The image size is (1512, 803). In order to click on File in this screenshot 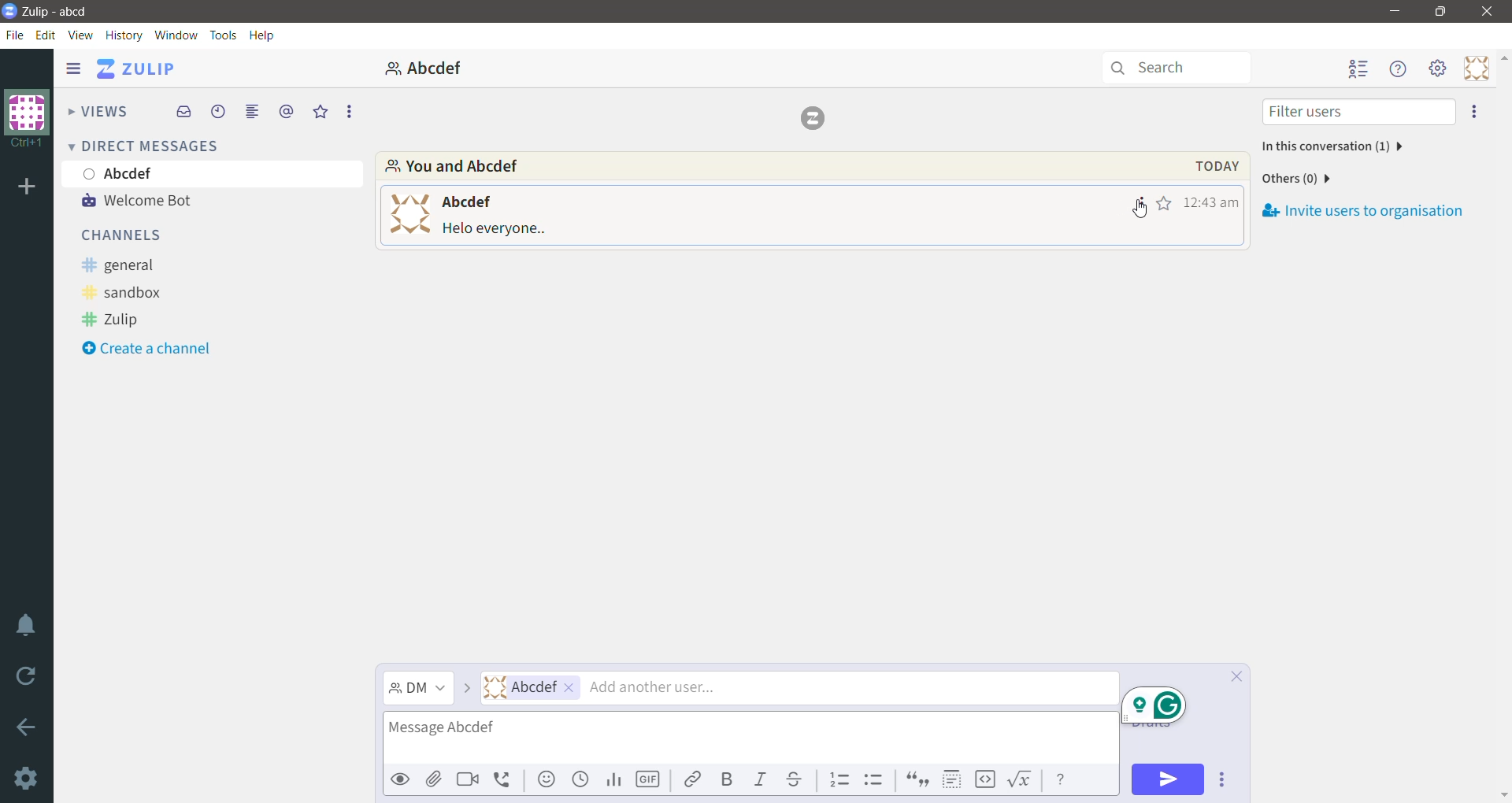, I will do `click(15, 36)`.